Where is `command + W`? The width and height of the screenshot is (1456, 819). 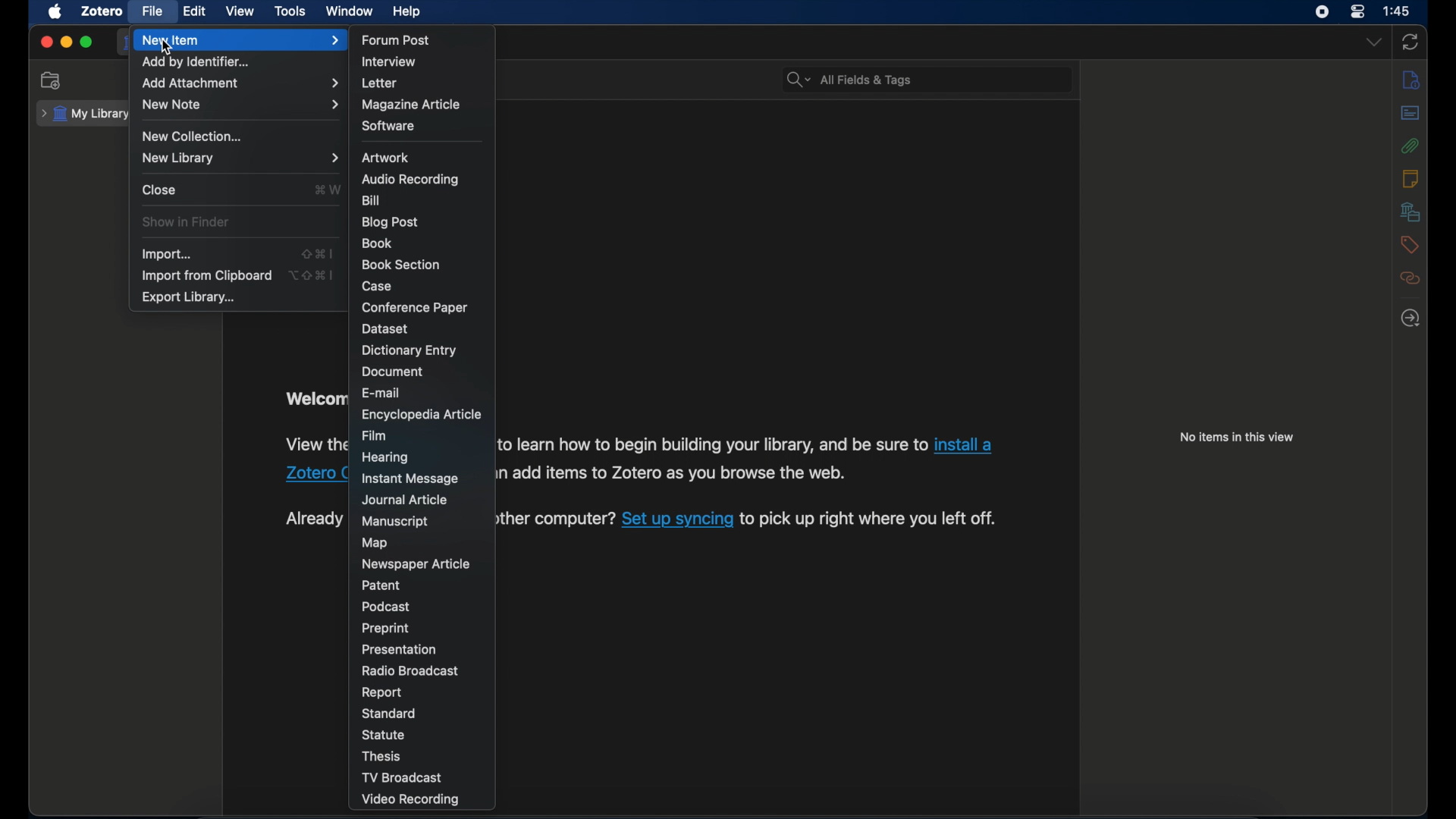
command + W is located at coordinates (326, 190).